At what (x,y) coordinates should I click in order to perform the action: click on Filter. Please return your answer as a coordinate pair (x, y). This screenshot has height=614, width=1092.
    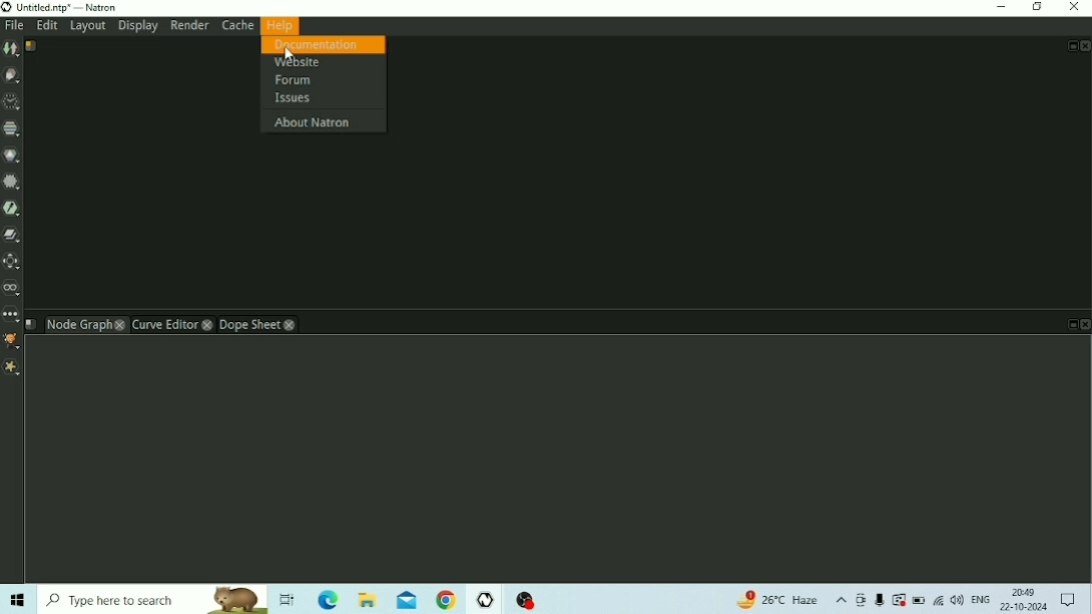
    Looking at the image, I should click on (11, 182).